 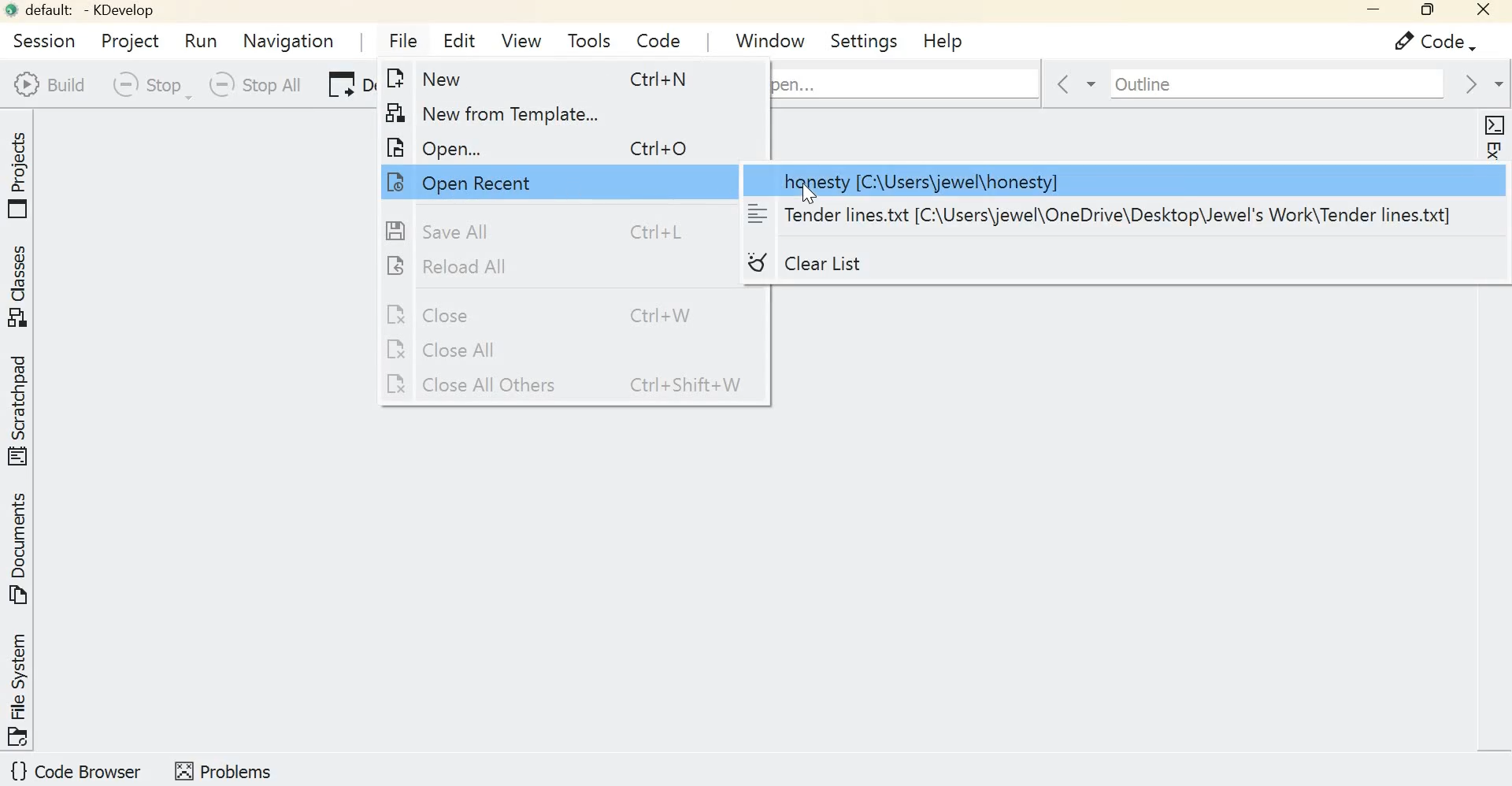 I want to click on File, so click(x=399, y=39).